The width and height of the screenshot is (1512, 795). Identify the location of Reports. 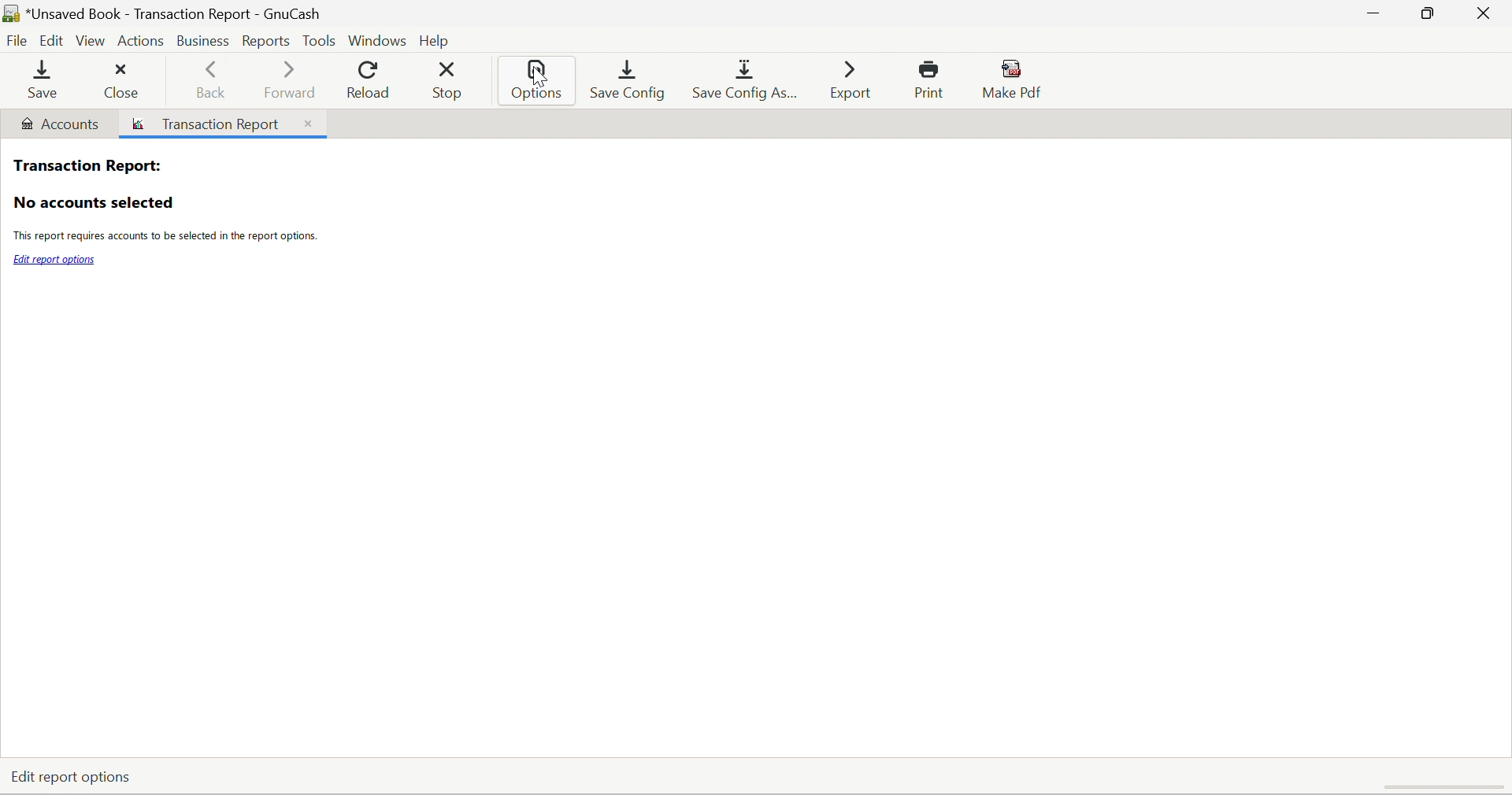
(268, 40).